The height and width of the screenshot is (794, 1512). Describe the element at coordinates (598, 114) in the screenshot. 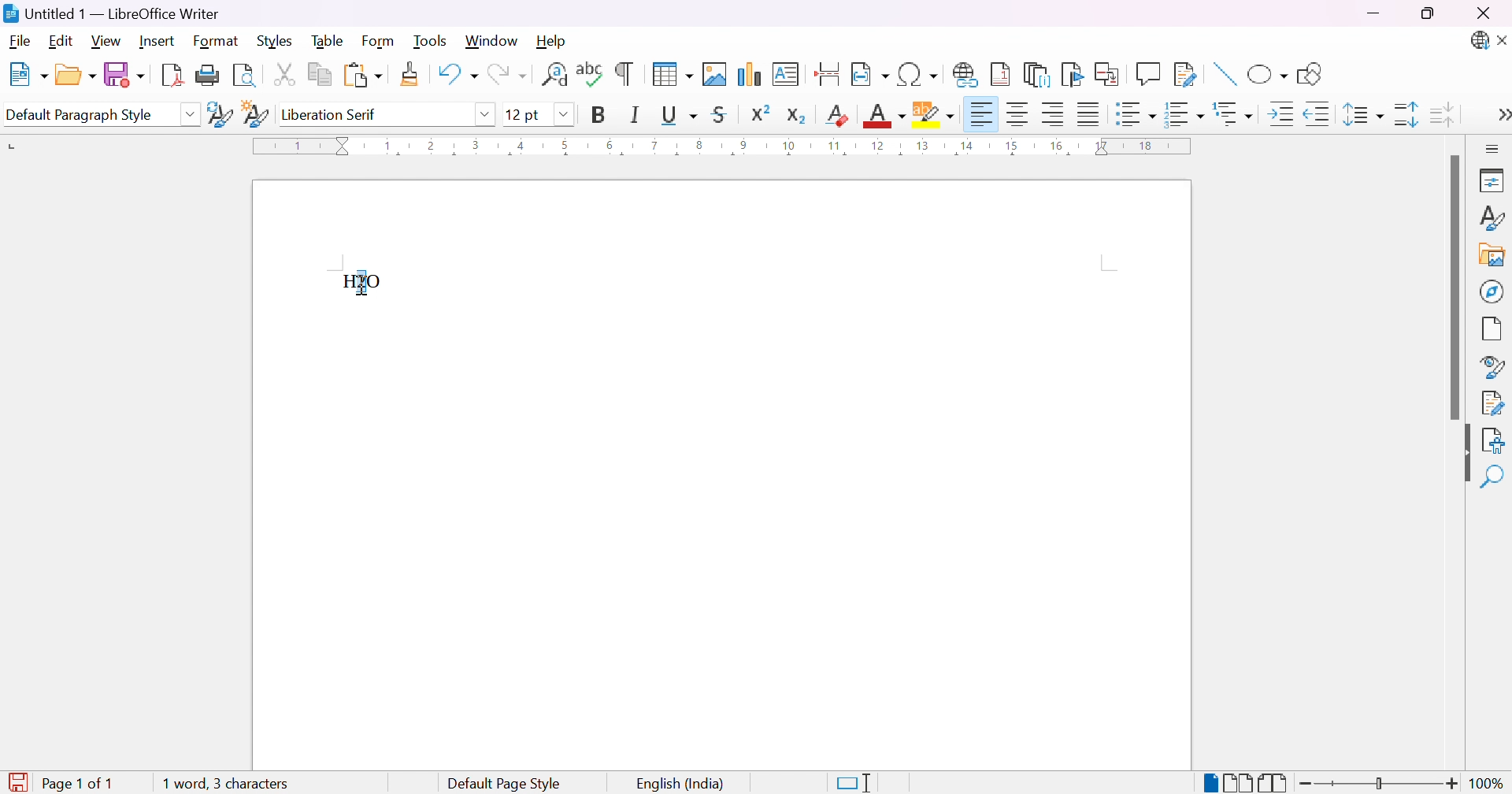

I see `Bold` at that location.